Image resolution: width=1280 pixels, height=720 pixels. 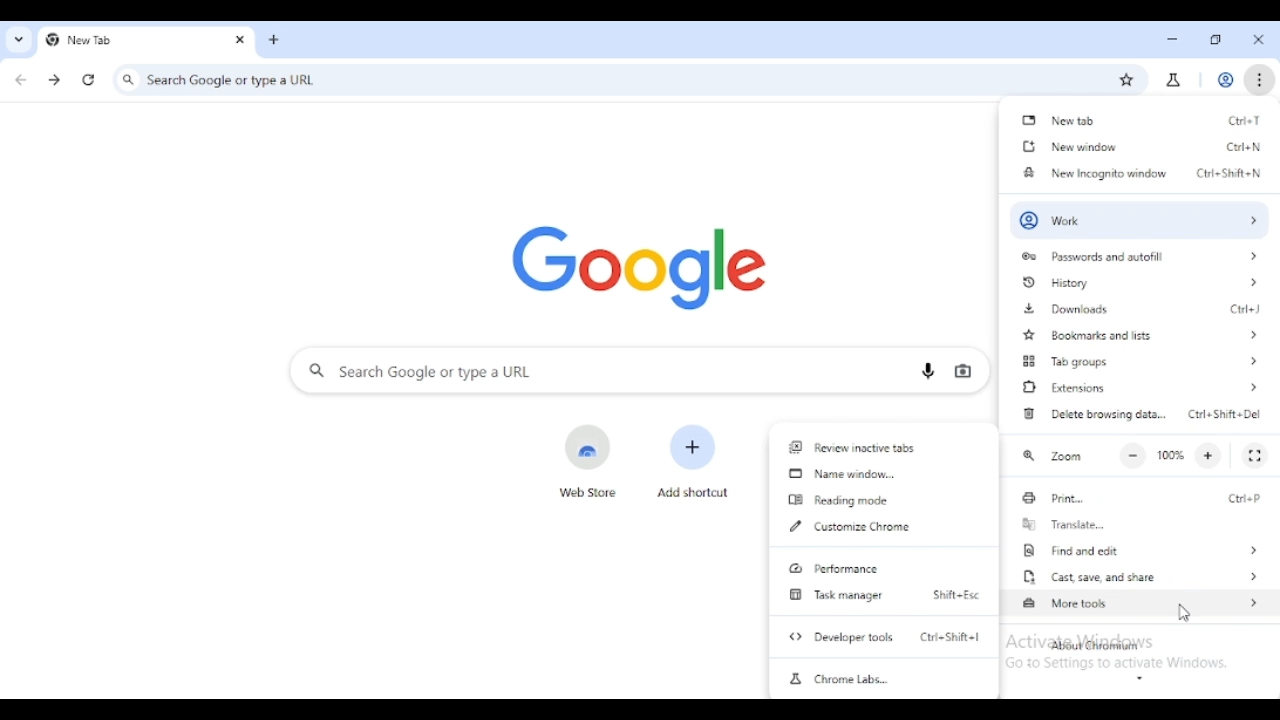 What do you see at coordinates (1141, 256) in the screenshot?
I see `passwords and autofll` at bounding box center [1141, 256].